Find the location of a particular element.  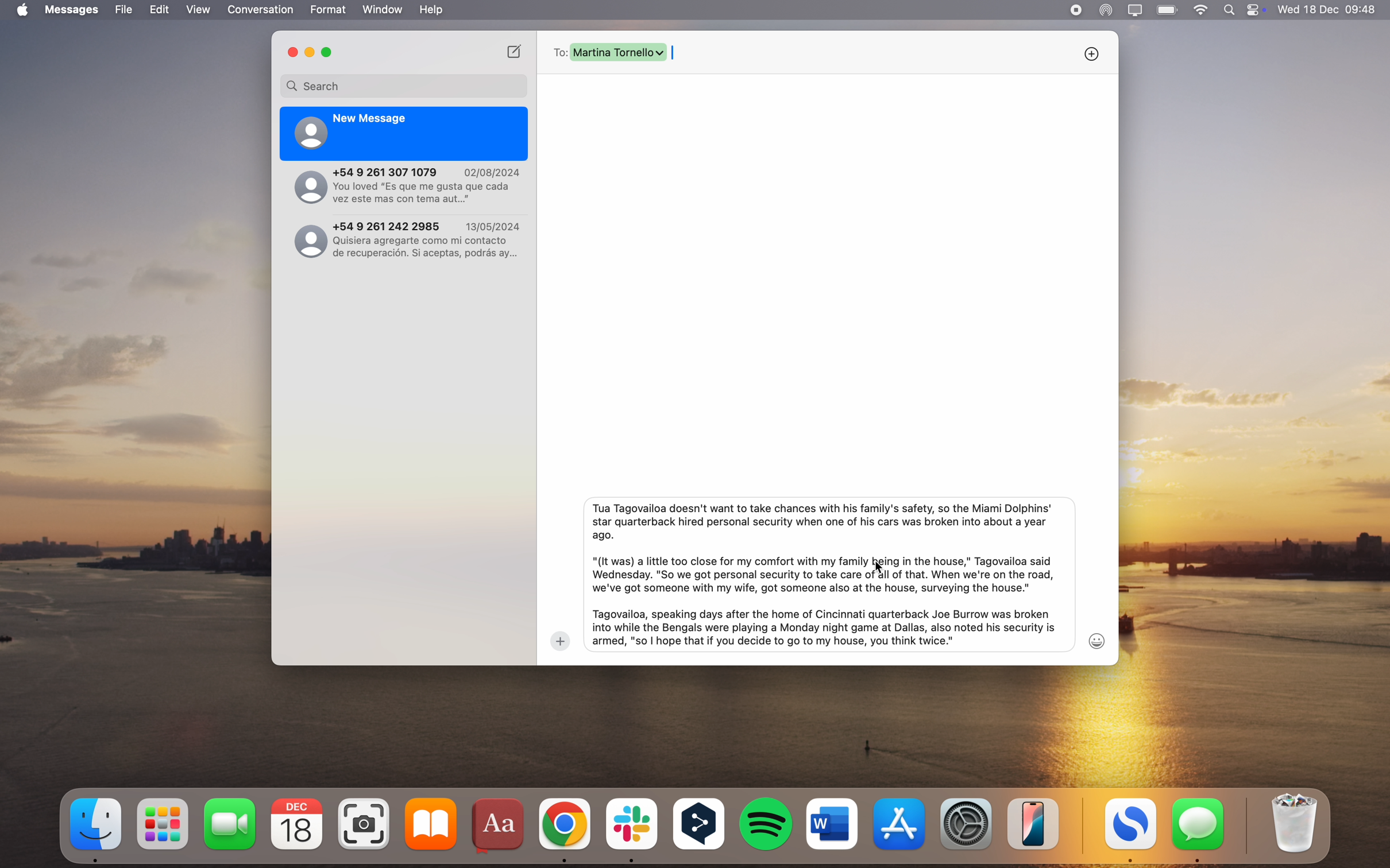

screenshot is located at coordinates (366, 824).